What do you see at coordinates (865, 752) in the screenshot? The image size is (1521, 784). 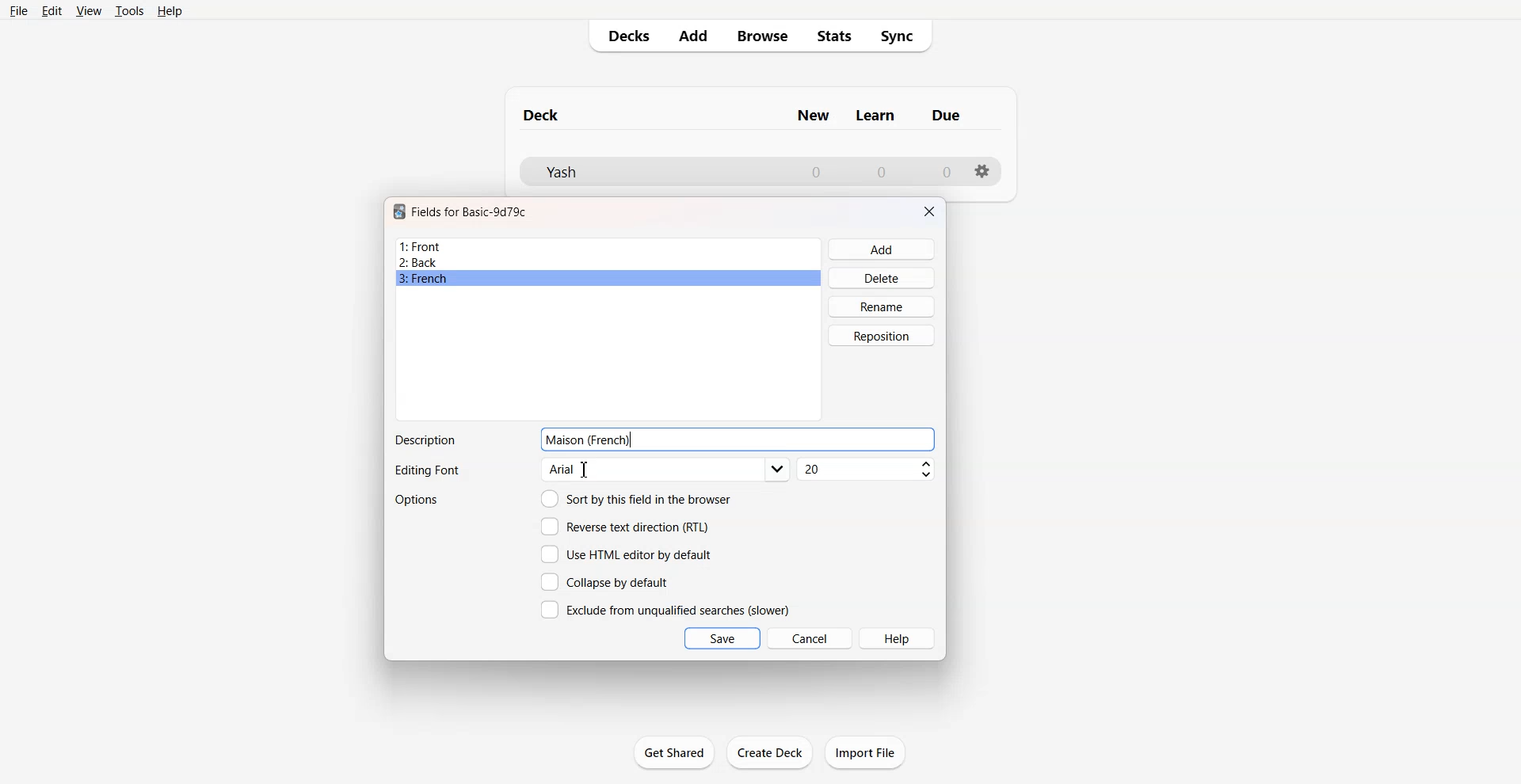 I see `Import File` at bounding box center [865, 752].